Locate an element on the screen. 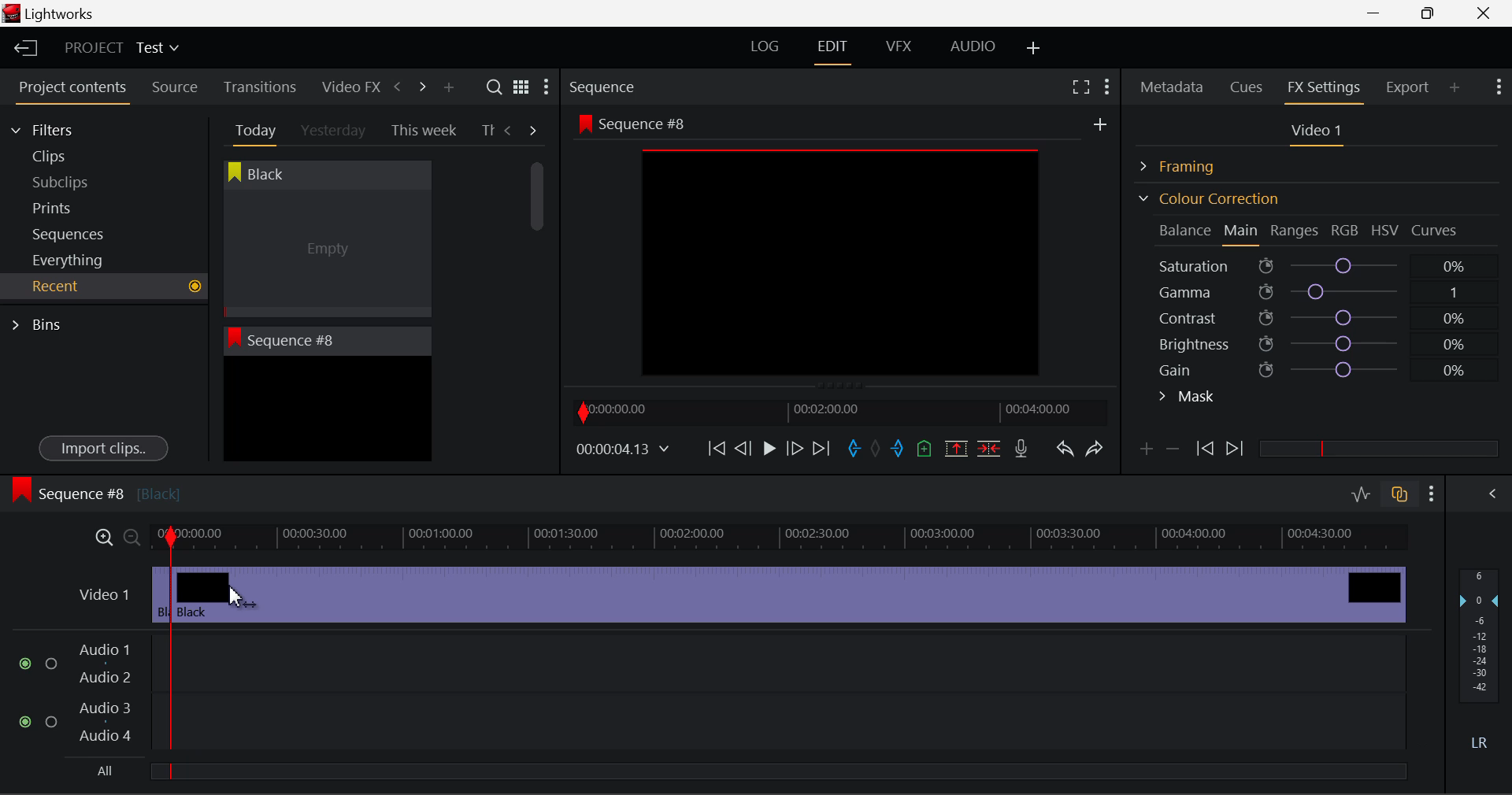 Image resolution: width=1512 pixels, height=795 pixels. Cursor on Clip 2 Segment is located at coordinates (790, 596).